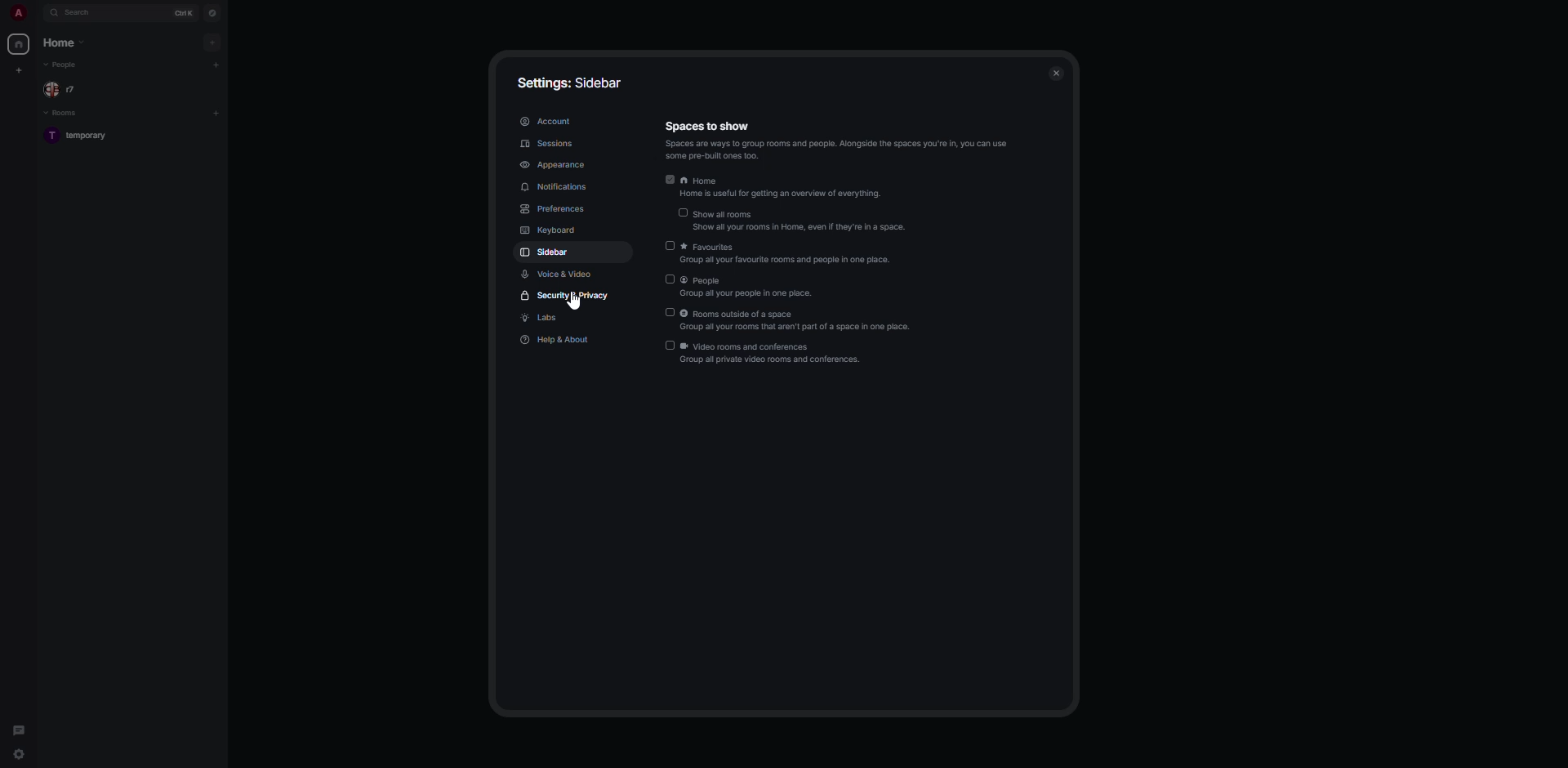  I want to click on spaces to show, so click(839, 139).